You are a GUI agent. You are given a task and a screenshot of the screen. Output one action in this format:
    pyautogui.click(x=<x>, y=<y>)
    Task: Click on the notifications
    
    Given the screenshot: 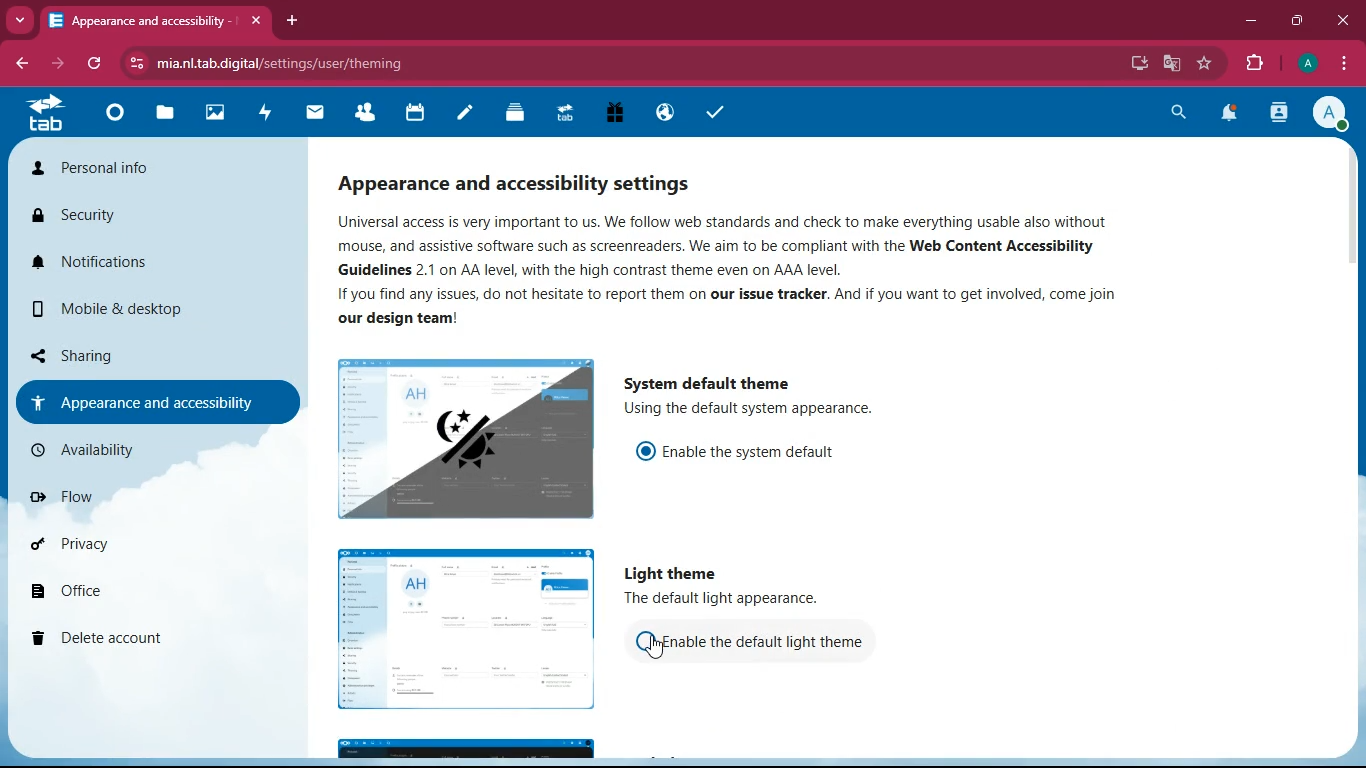 What is the action you would take?
    pyautogui.click(x=1232, y=114)
    